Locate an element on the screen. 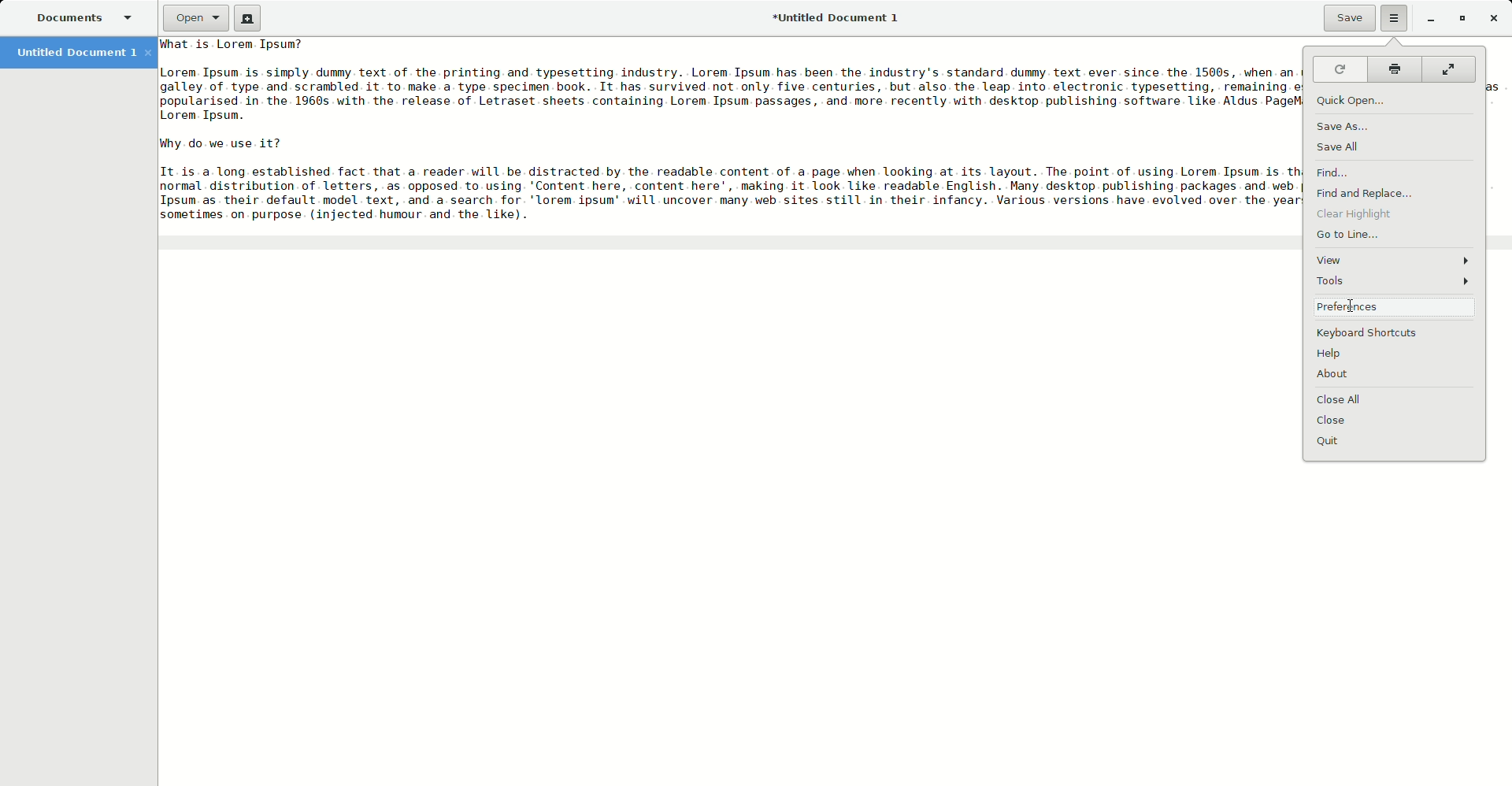  Keyboard Shortcuts is located at coordinates (1373, 333).